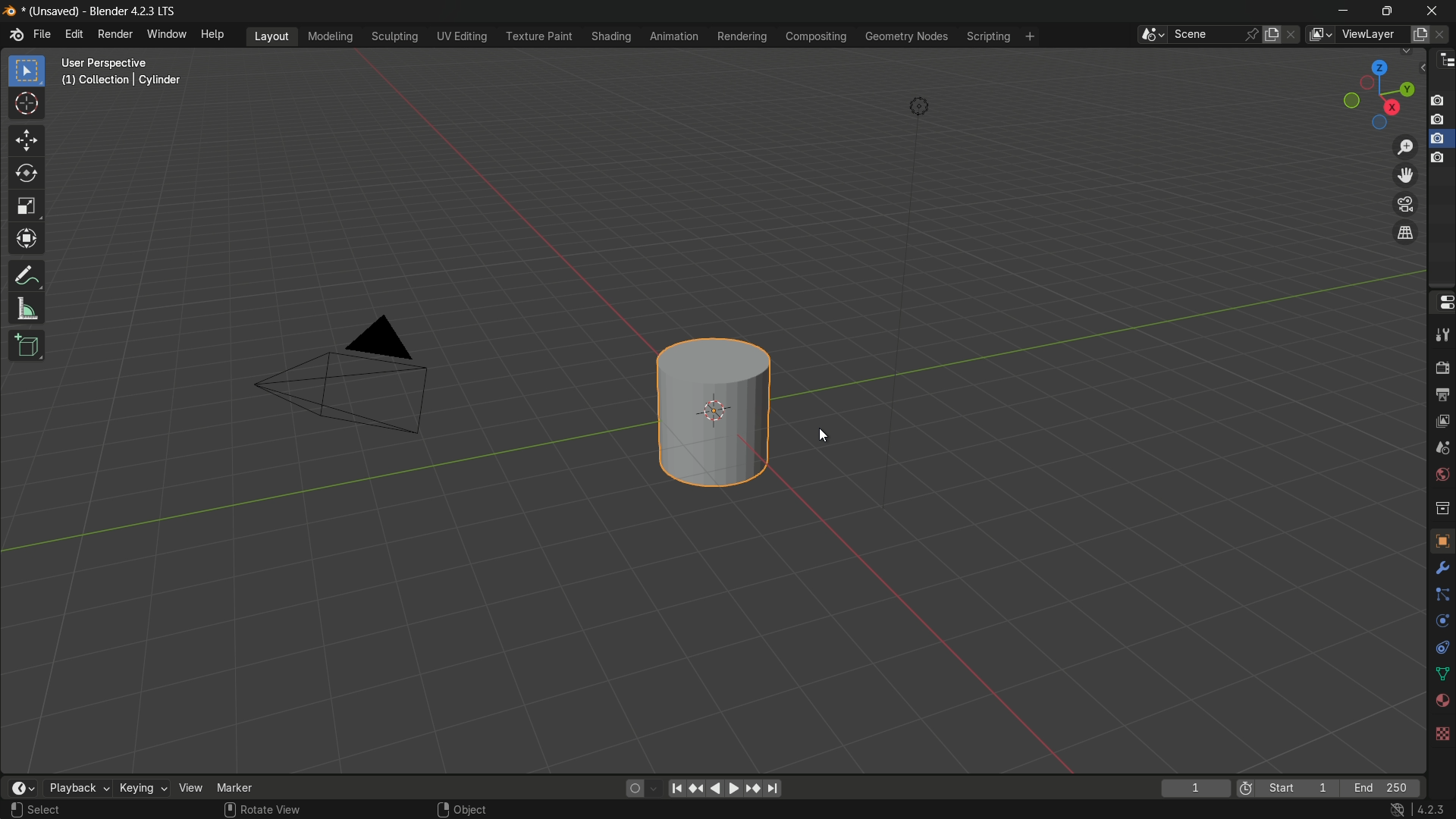 The height and width of the screenshot is (819, 1456). I want to click on play animation, so click(723, 788).